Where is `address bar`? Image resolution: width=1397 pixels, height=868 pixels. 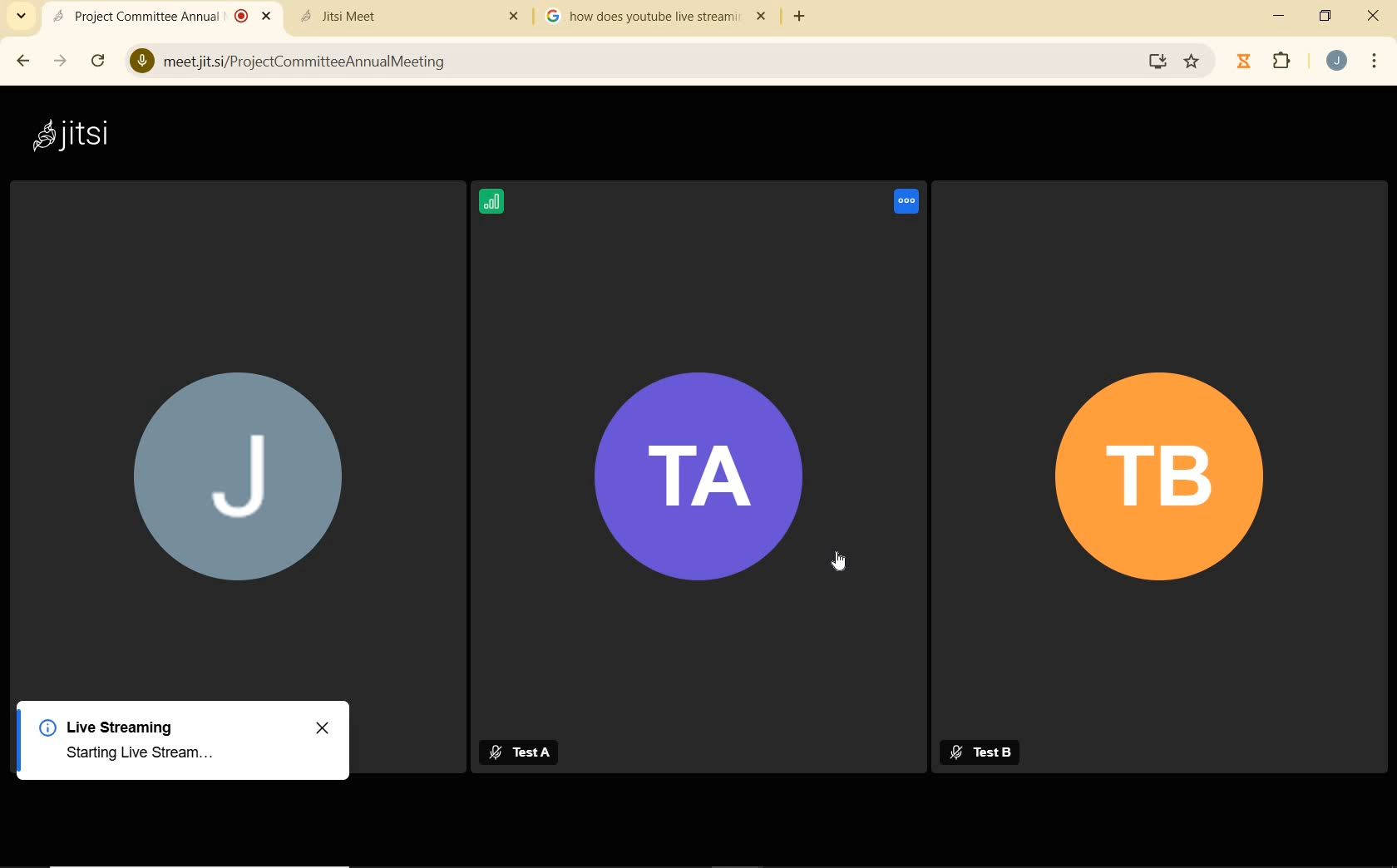
address bar is located at coordinates (647, 60).